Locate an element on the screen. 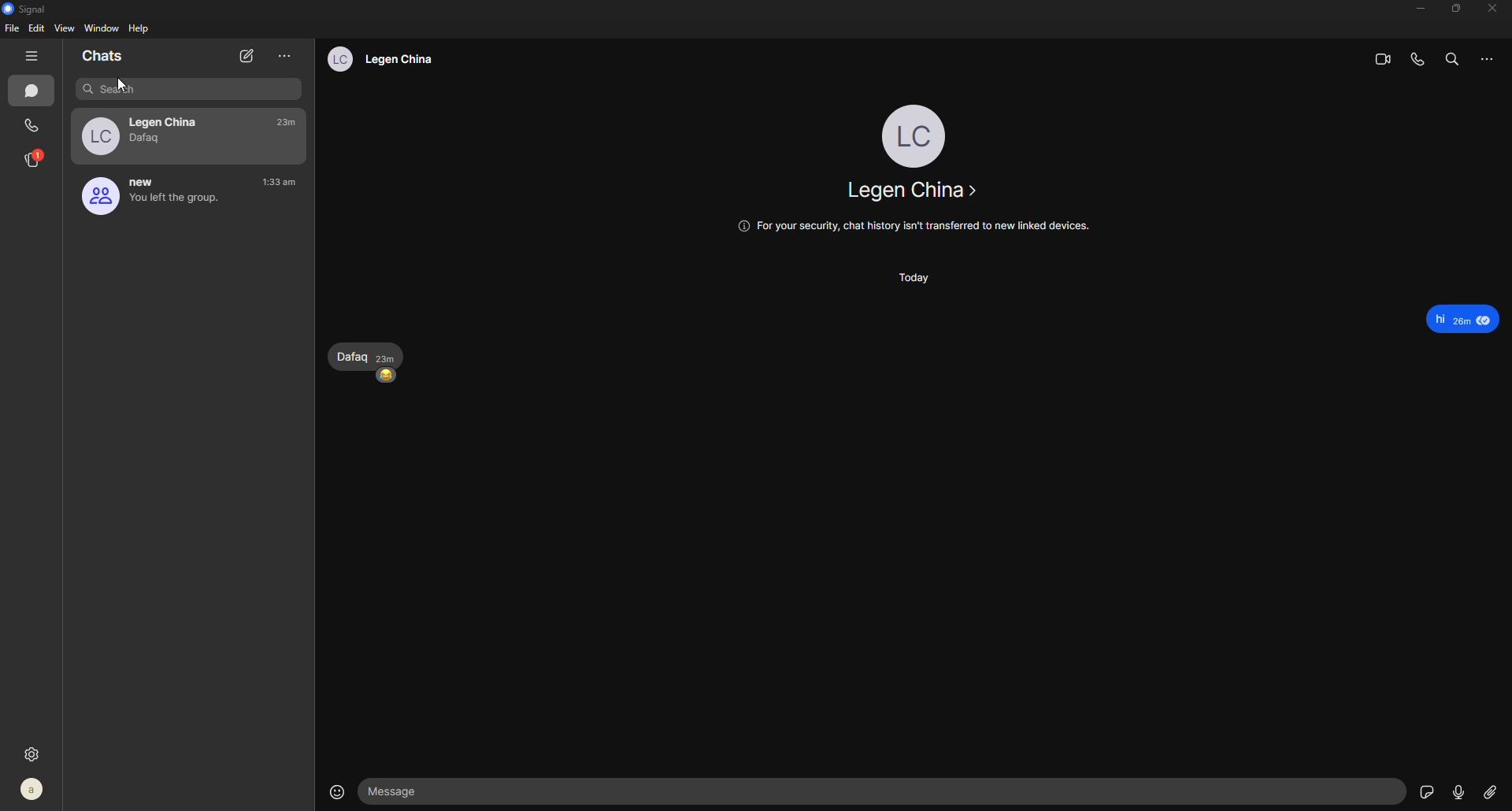 The height and width of the screenshot is (811, 1512). search is located at coordinates (1452, 60).